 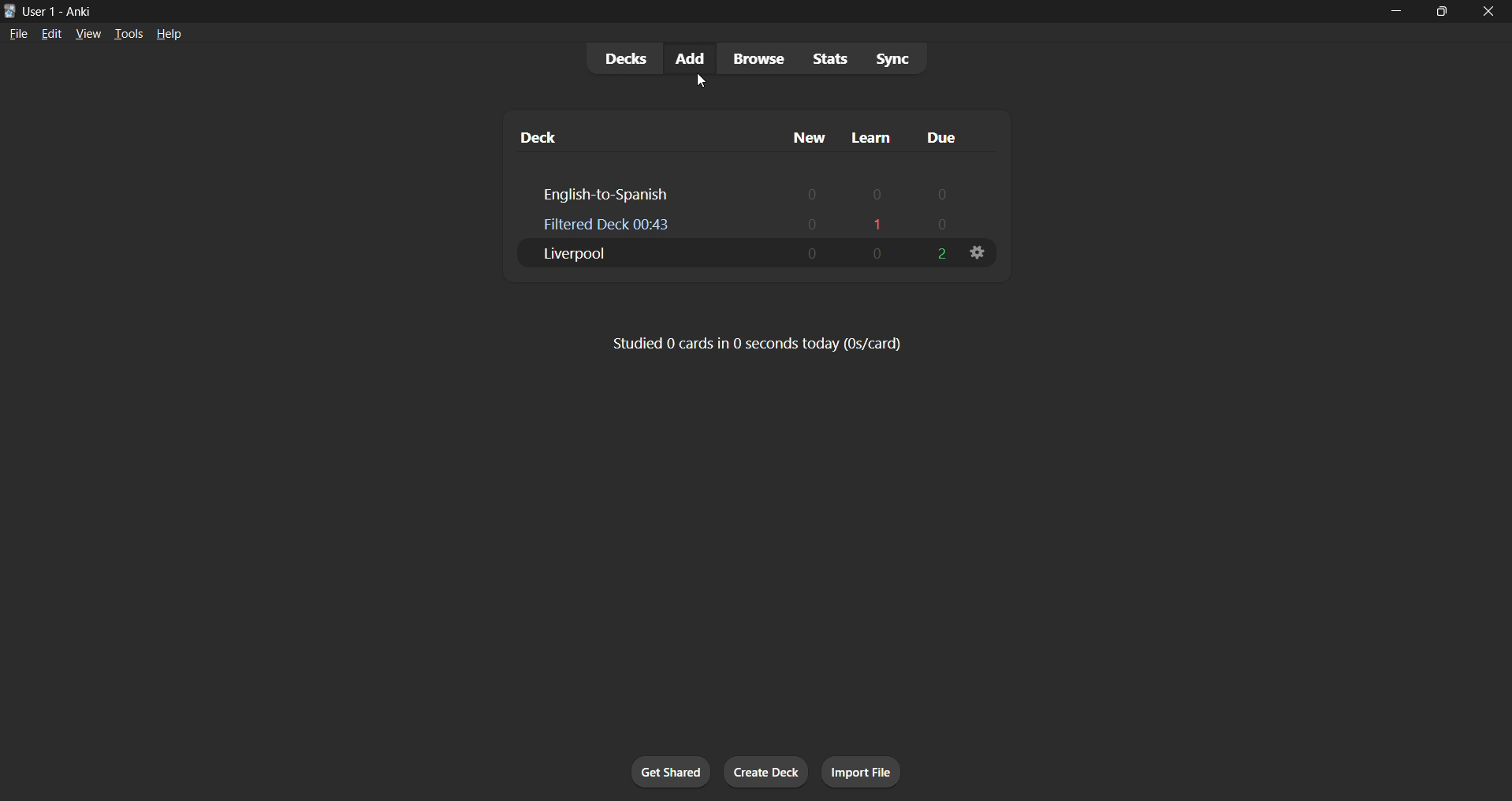 What do you see at coordinates (635, 136) in the screenshot?
I see `deck column` at bounding box center [635, 136].